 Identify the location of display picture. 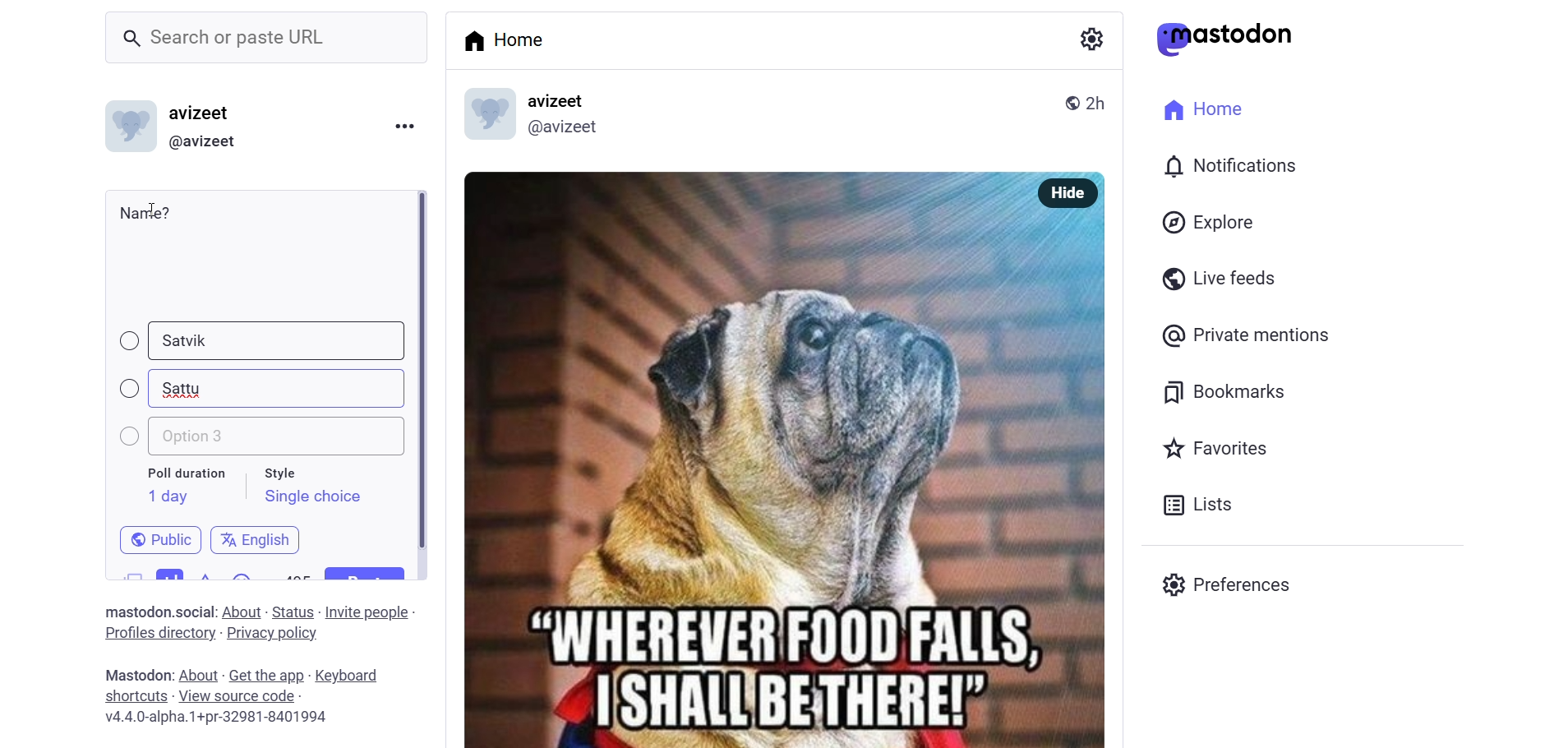
(481, 116).